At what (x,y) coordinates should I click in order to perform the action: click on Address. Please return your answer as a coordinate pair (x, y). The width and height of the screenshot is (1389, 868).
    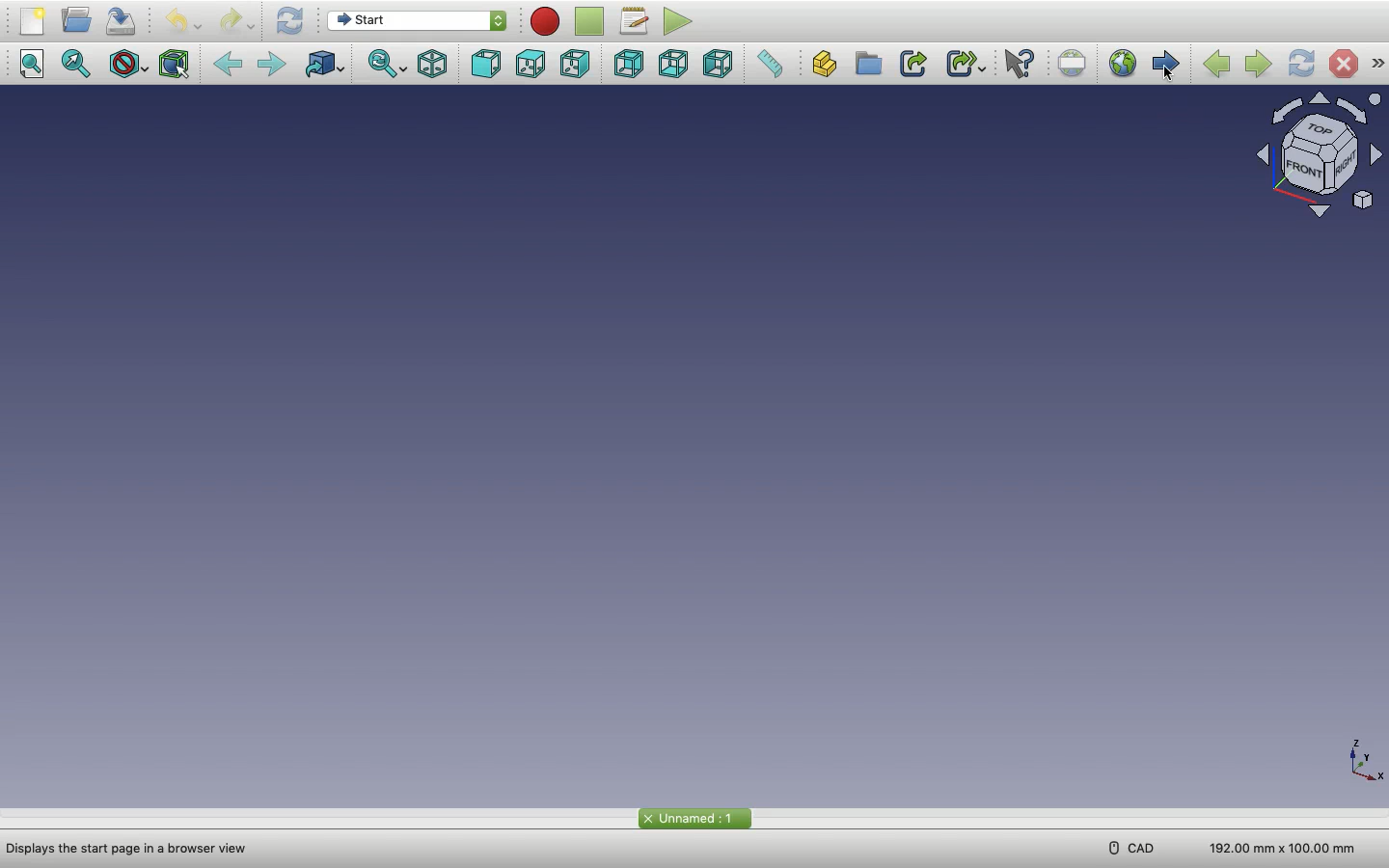
    Looking at the image, I should click on (134, 849).